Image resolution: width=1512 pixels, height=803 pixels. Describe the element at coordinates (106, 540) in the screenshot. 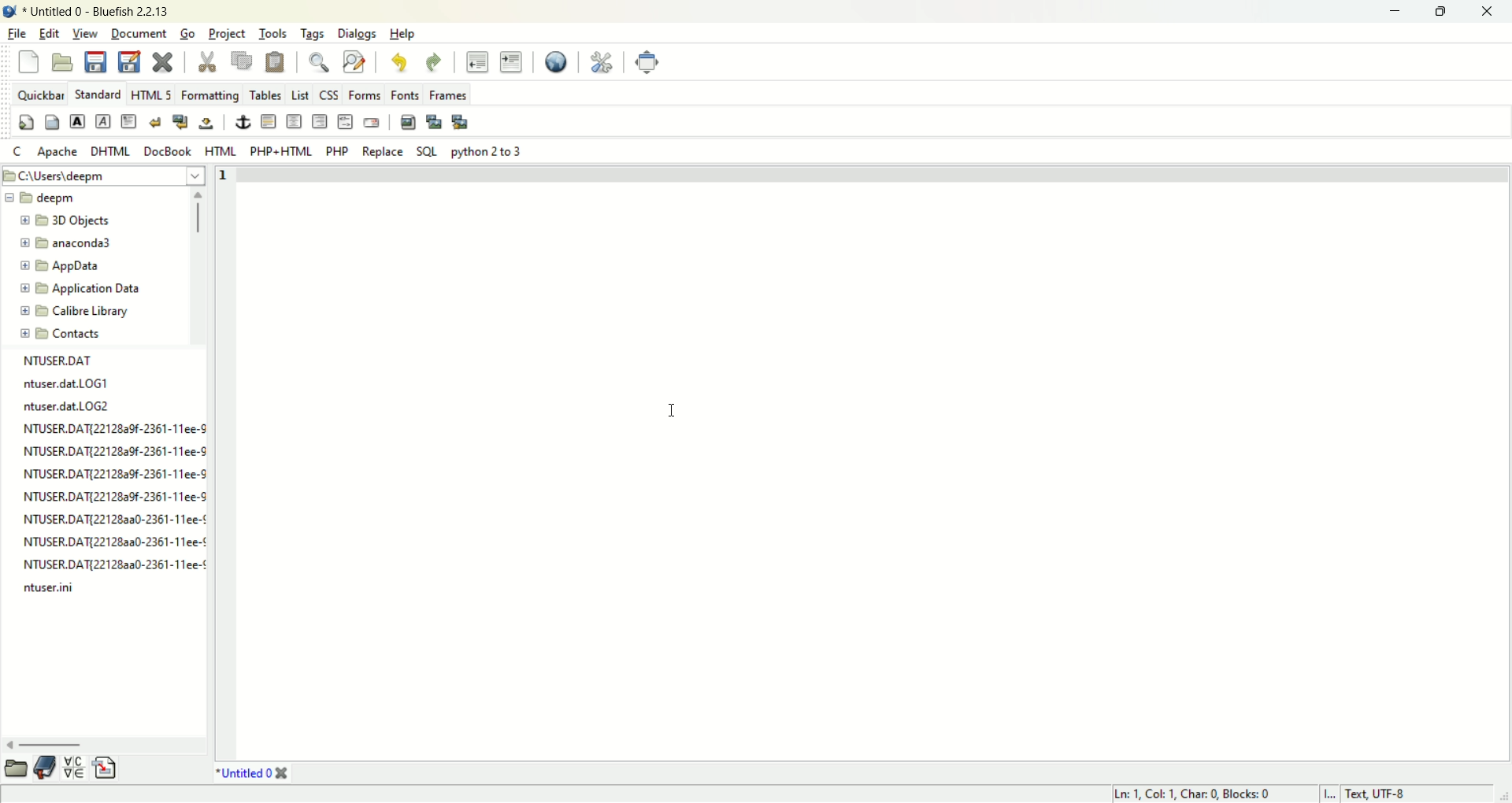

I see `NTUSER.DAT{22128aa0-2361-11ee-¢` at that location.